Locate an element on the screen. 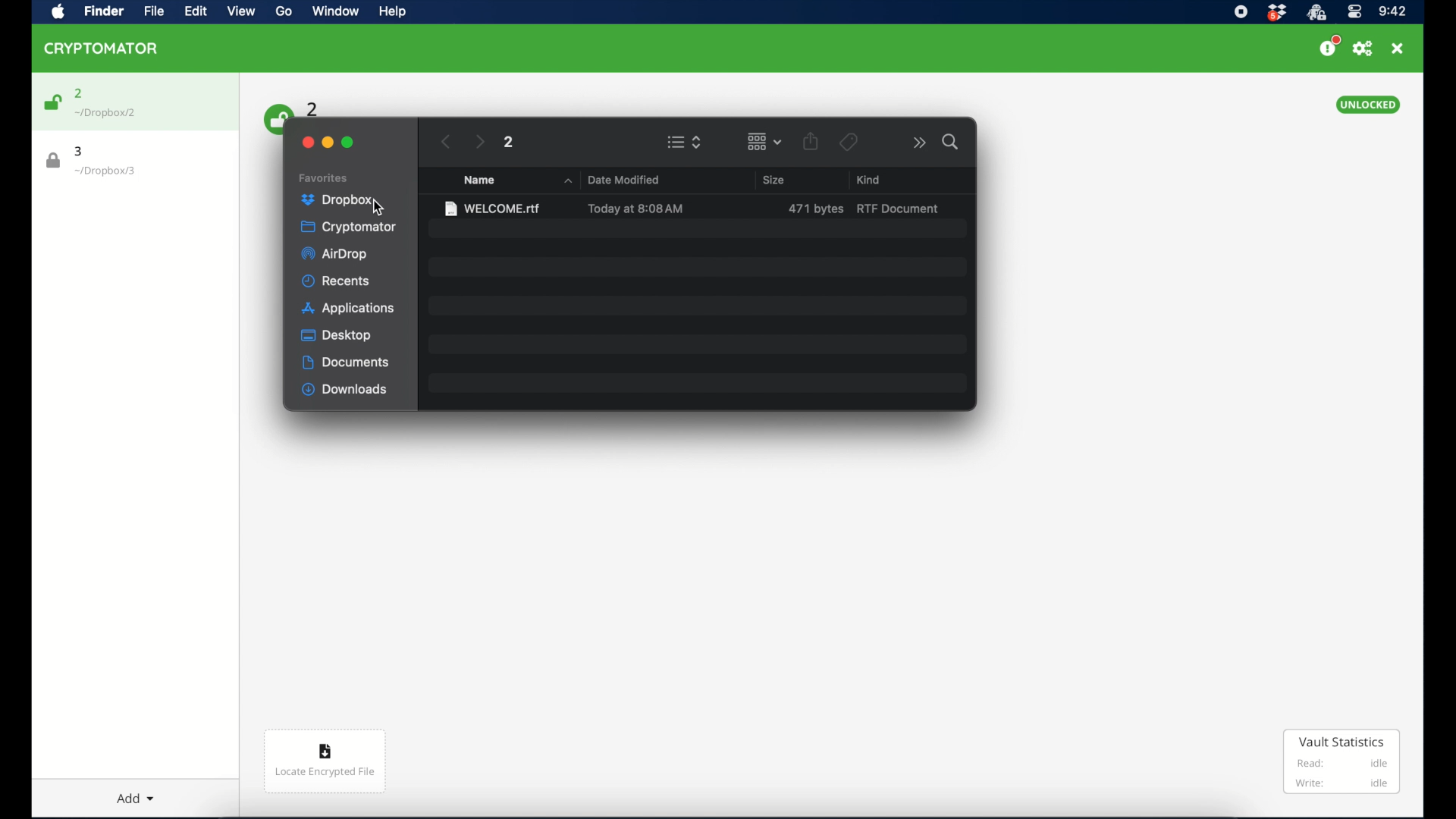 The width and height of the screenshot is (1456, 819). cryptomator is located at coordinates (102, 48).